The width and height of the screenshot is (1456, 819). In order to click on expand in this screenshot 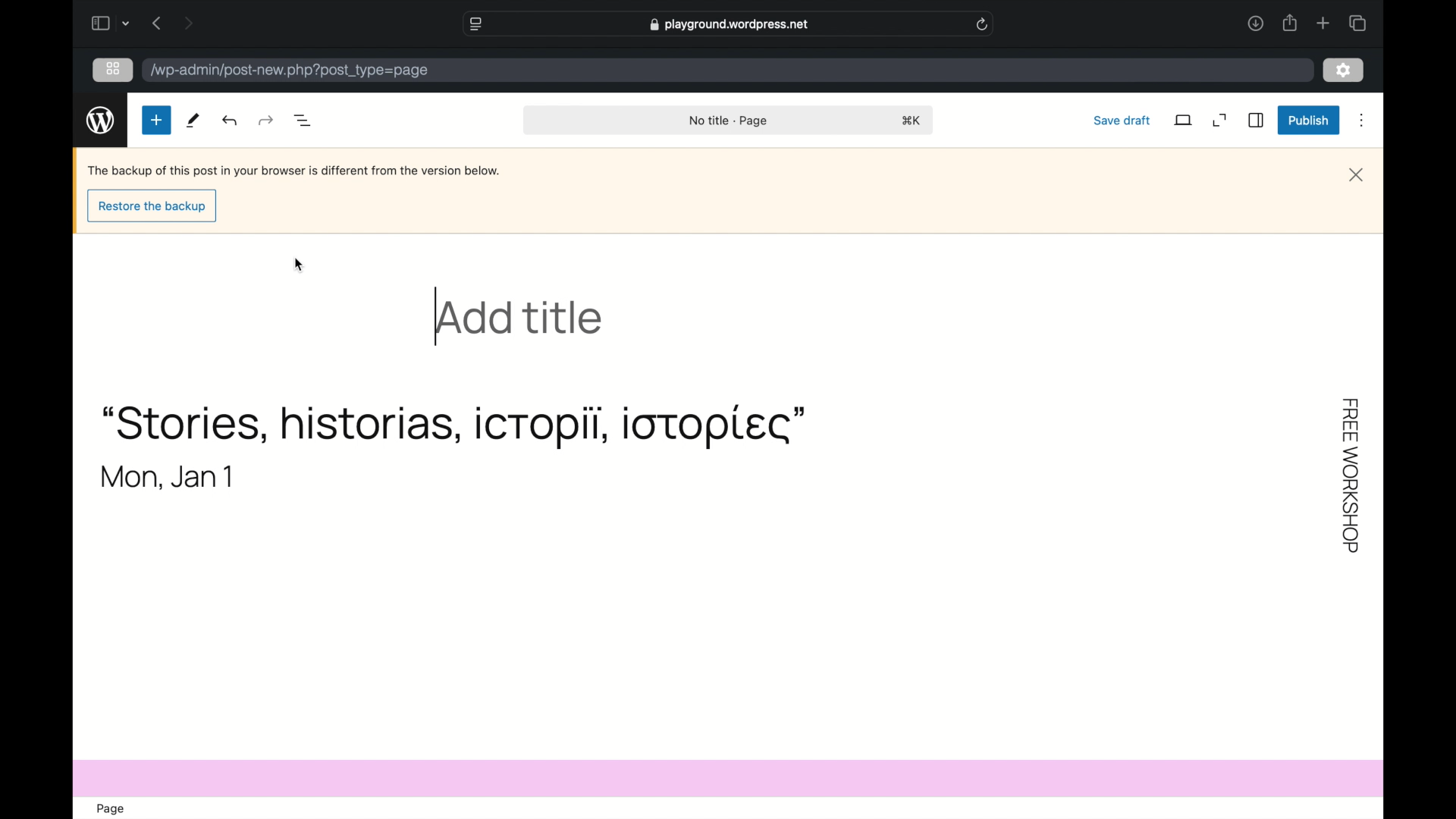, I will do `click(1219, 120)`.